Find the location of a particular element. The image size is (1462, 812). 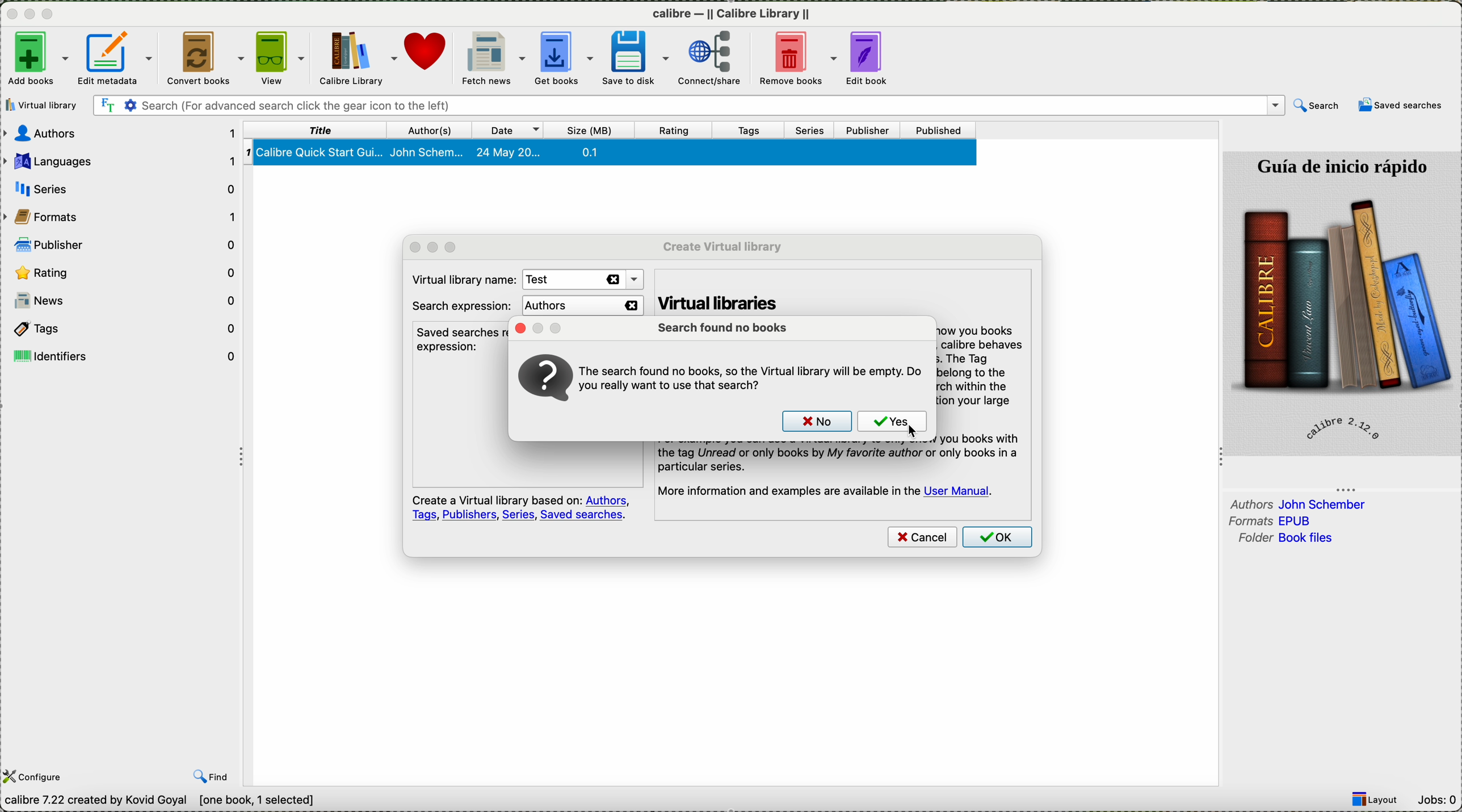

search expression is located at coordinates (461, 306).